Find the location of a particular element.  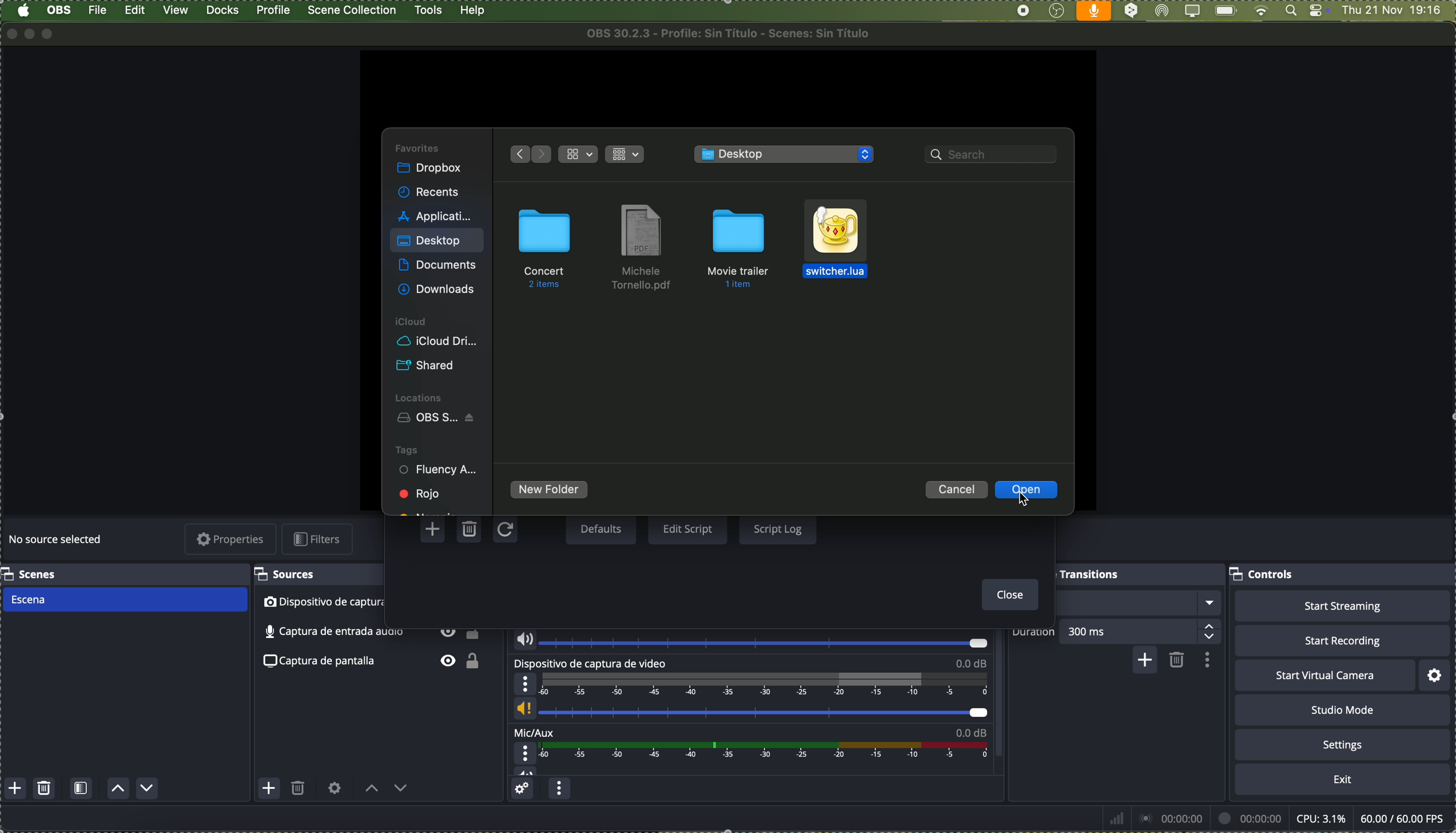

scene transitions is located at coordinates (1089, 573).